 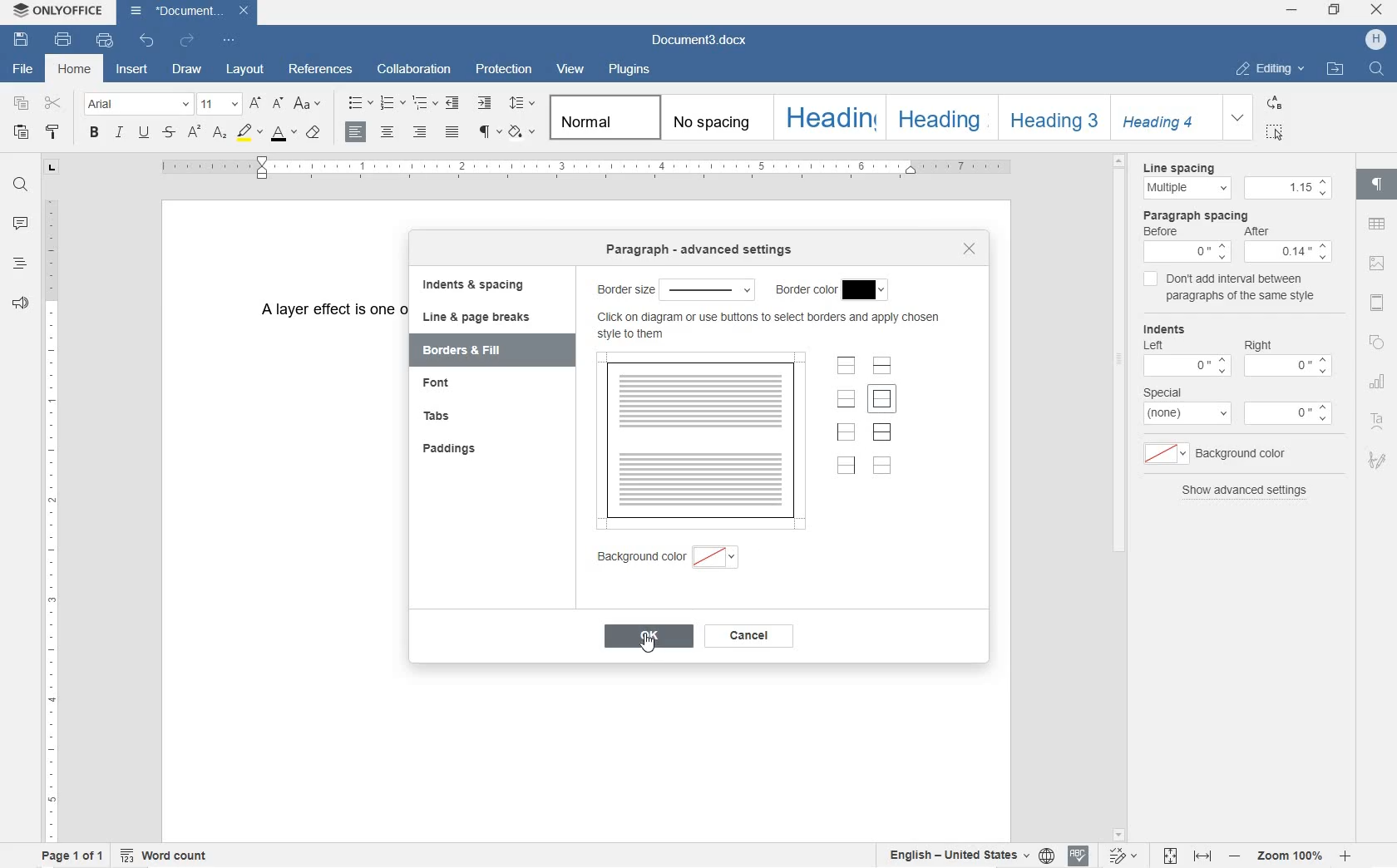 I want to click on HEADING 3, so click(x=1051, y=118).